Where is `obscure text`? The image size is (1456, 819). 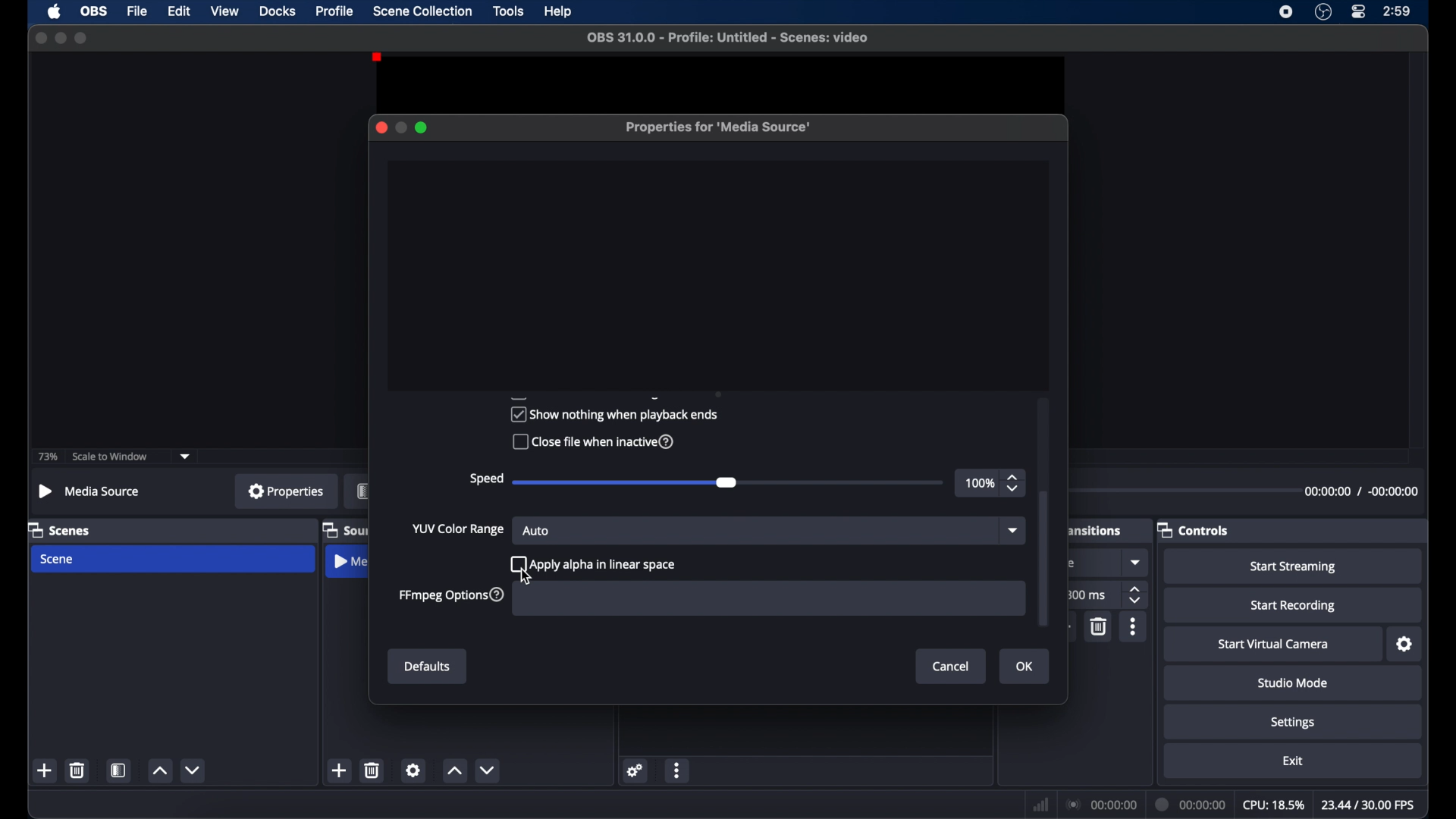
obscure text is located at coordinates (583, 395).